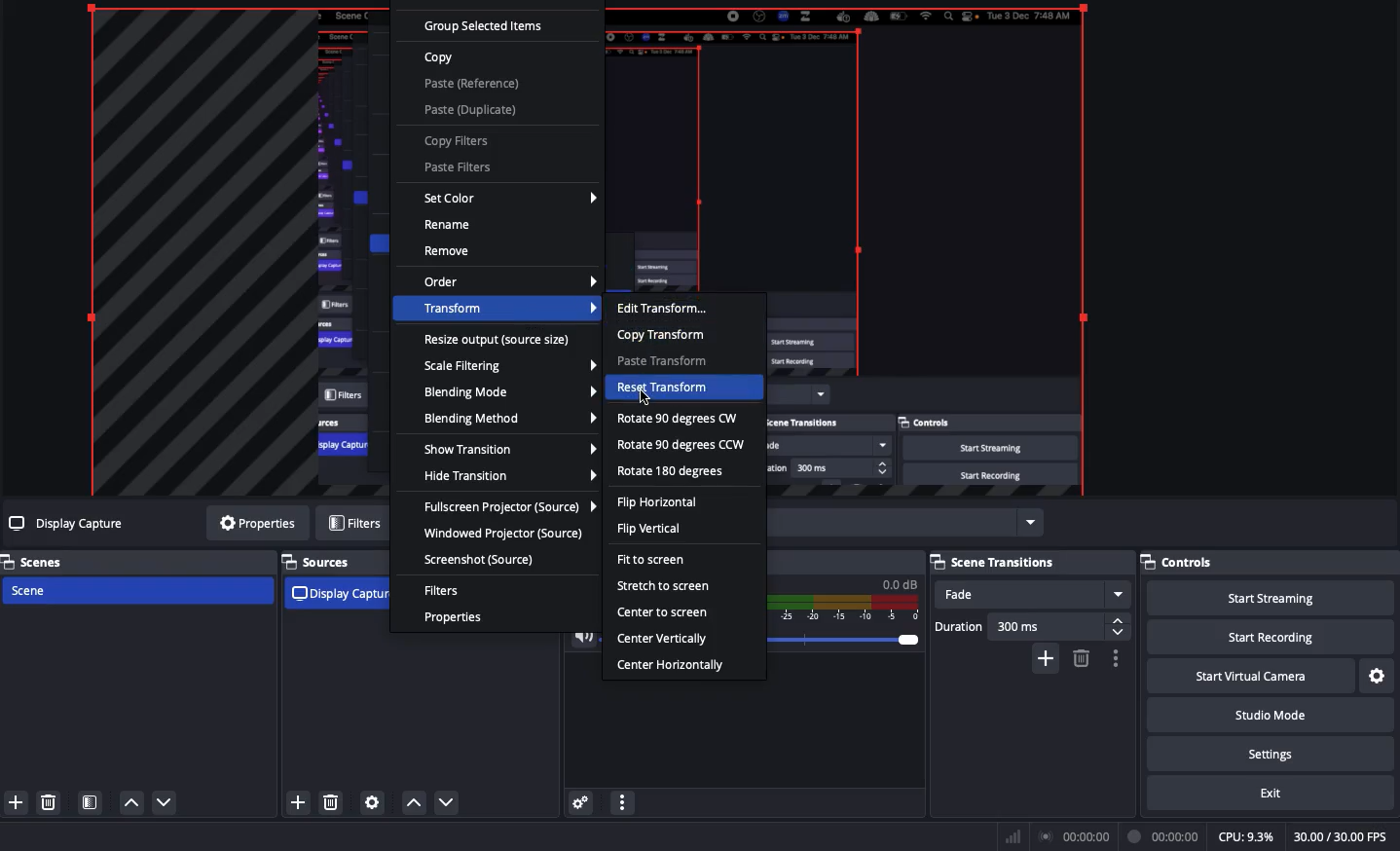 This screenshot has height=851, width=1400. I want to click on Group selected items, so click(484, 24).